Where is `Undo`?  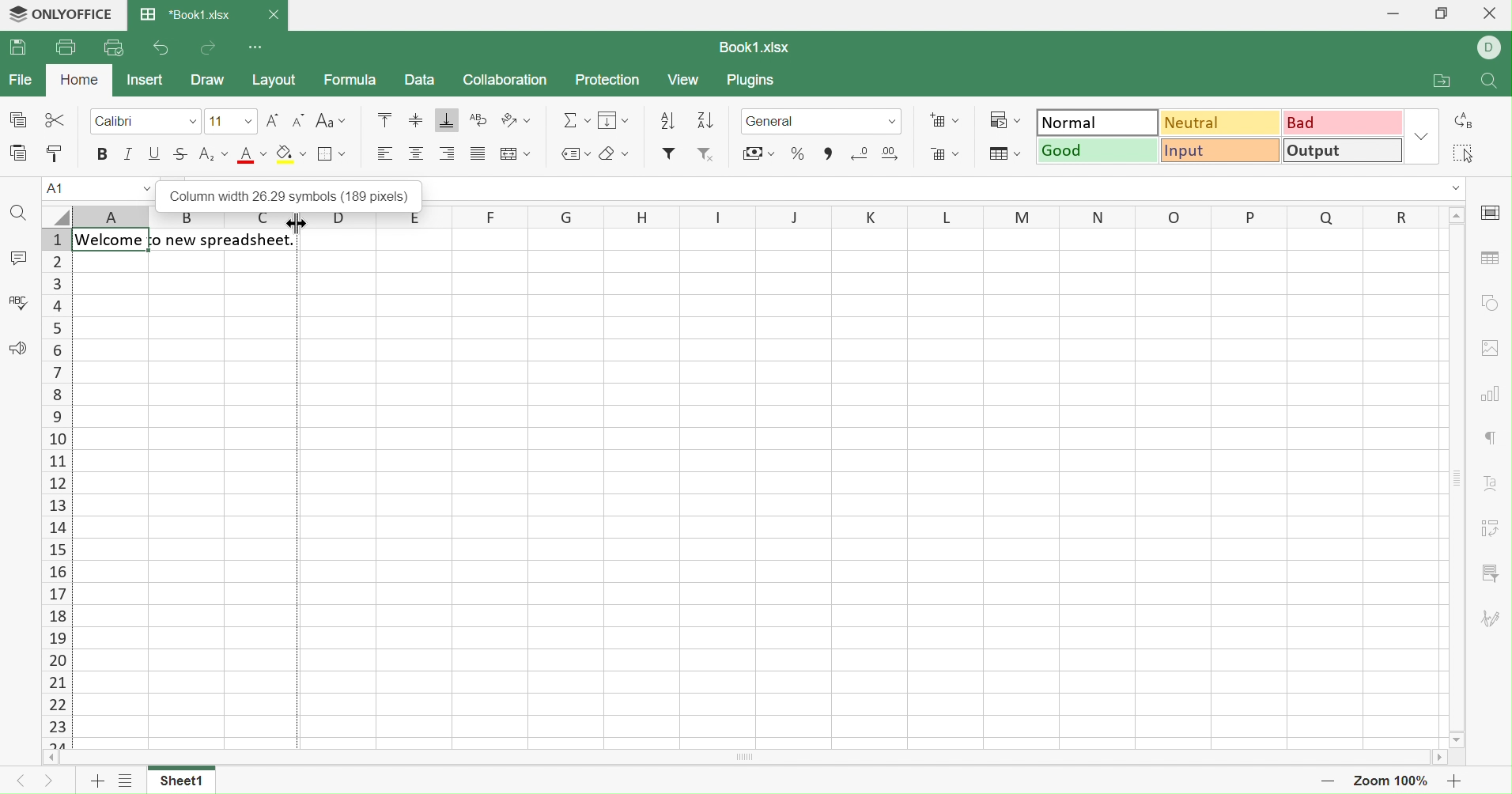 Undo is located at coordinates (160, 48).